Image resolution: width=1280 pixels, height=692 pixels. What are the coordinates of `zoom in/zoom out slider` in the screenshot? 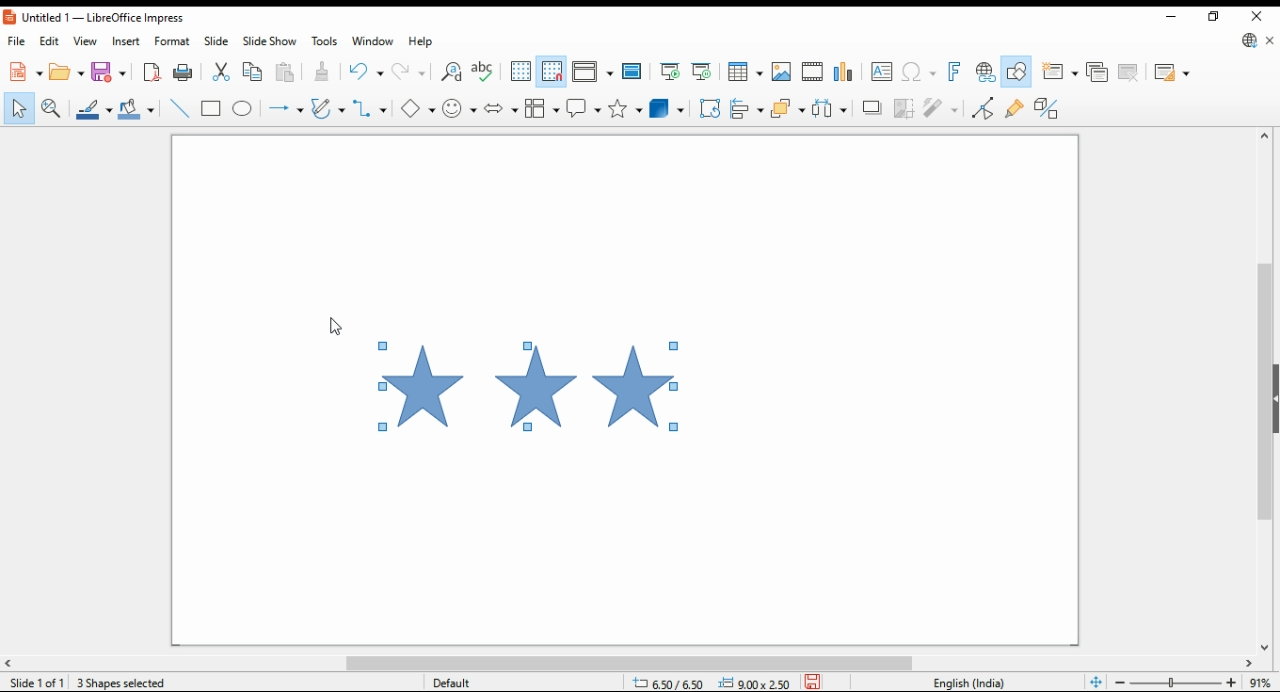 It's located at (1176, 681).